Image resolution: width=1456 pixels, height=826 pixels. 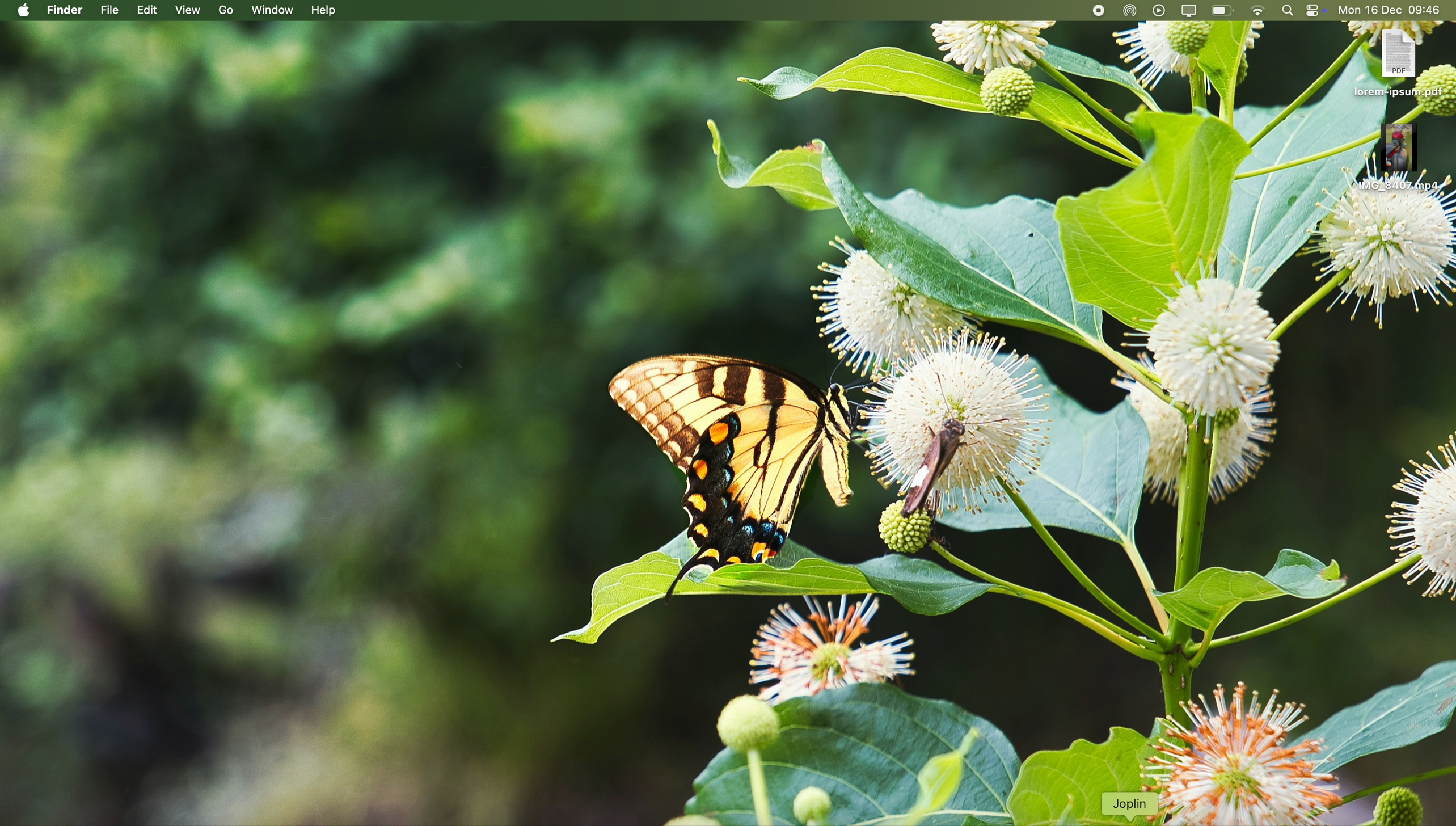 What do you see at coordinates (1253, 804) in the screenshot?
I see `background` at bounding box center [1253, 804].